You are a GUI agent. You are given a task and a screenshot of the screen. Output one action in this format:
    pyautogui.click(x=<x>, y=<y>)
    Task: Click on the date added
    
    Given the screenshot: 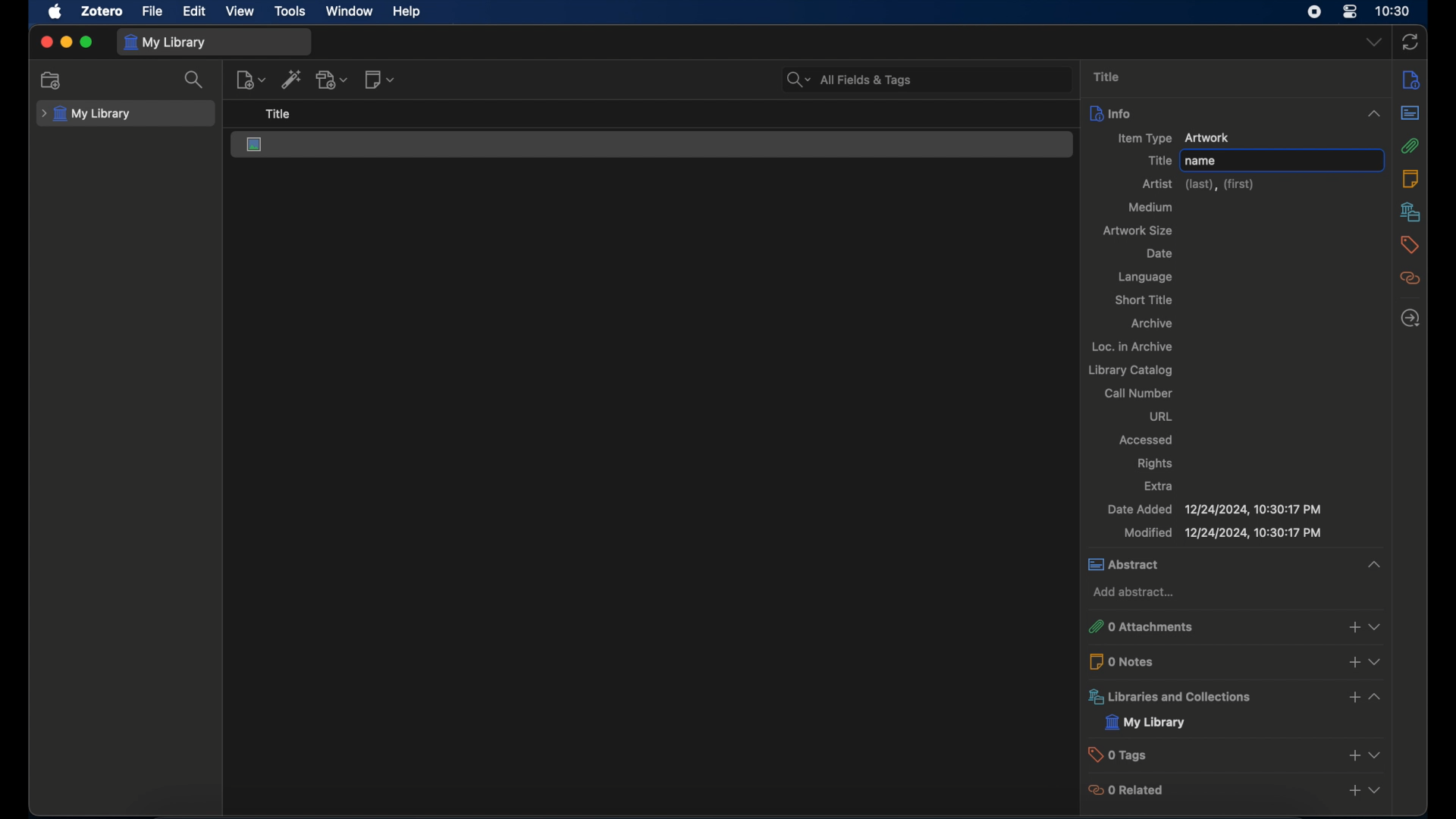 What is the action you would take?
    pyautogui.click(x=1214, y=509)
    